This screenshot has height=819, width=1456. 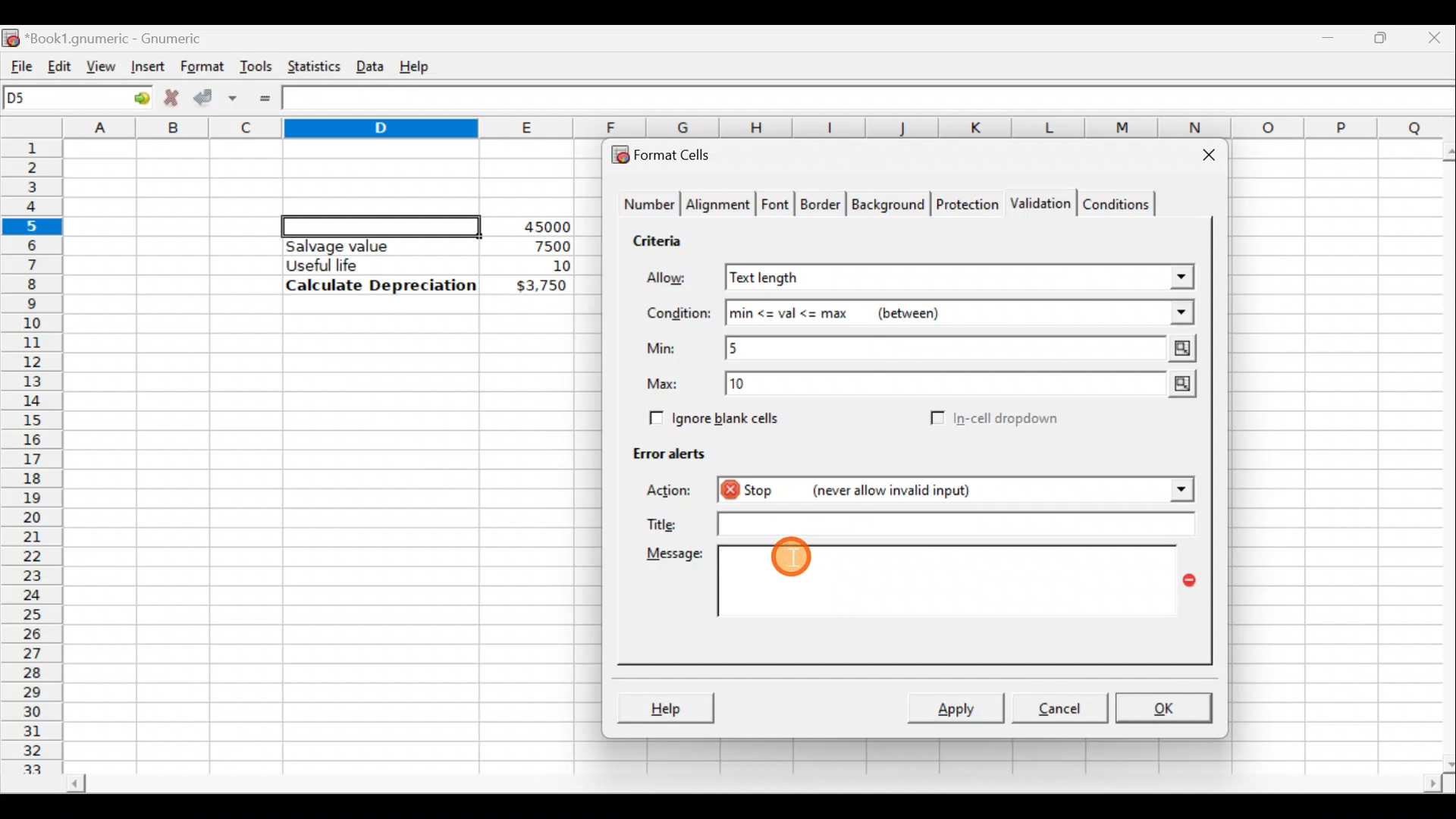 What do you see at coordinates (645, 206) in the screenshot?
I see `Number` at bounding box center [645, 206].